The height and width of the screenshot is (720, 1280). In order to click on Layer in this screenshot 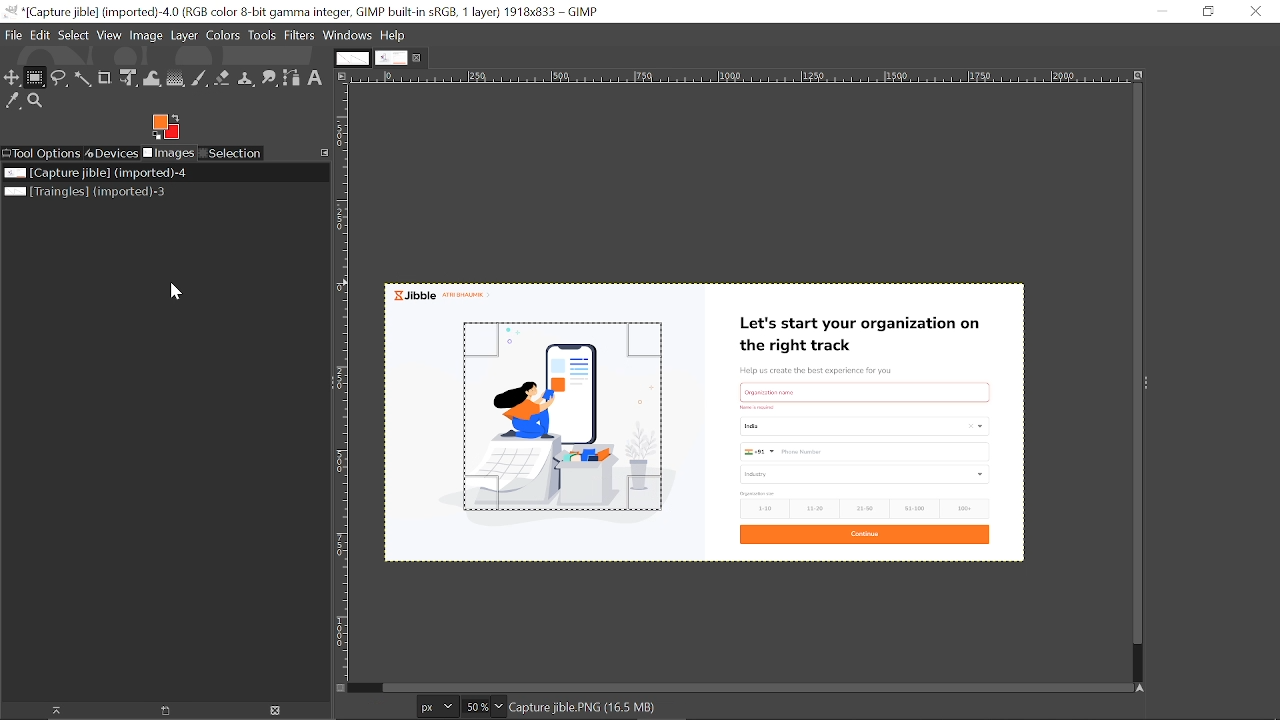, I will do `click(186, 37)`.